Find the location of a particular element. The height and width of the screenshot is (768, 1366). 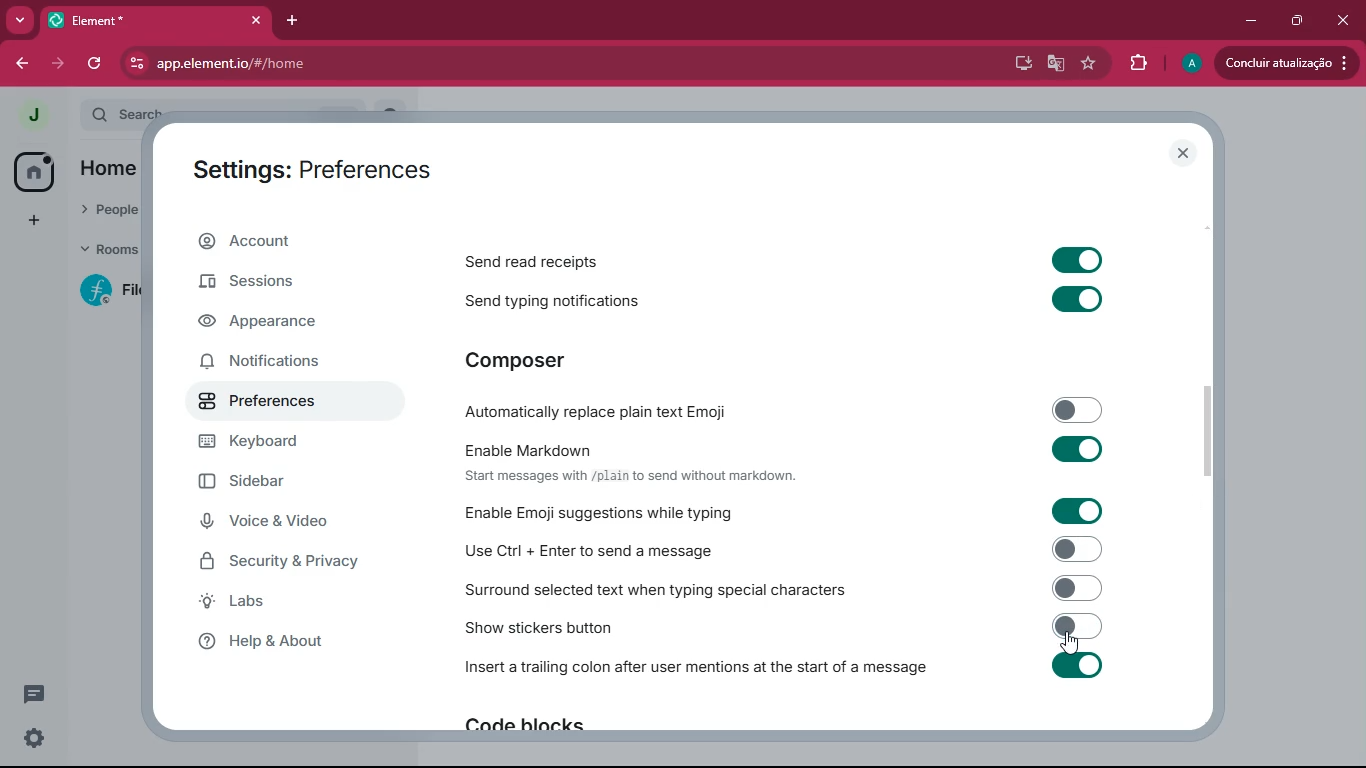

Enable Emoji suggestions while typing is located at coordinates (779, 510).